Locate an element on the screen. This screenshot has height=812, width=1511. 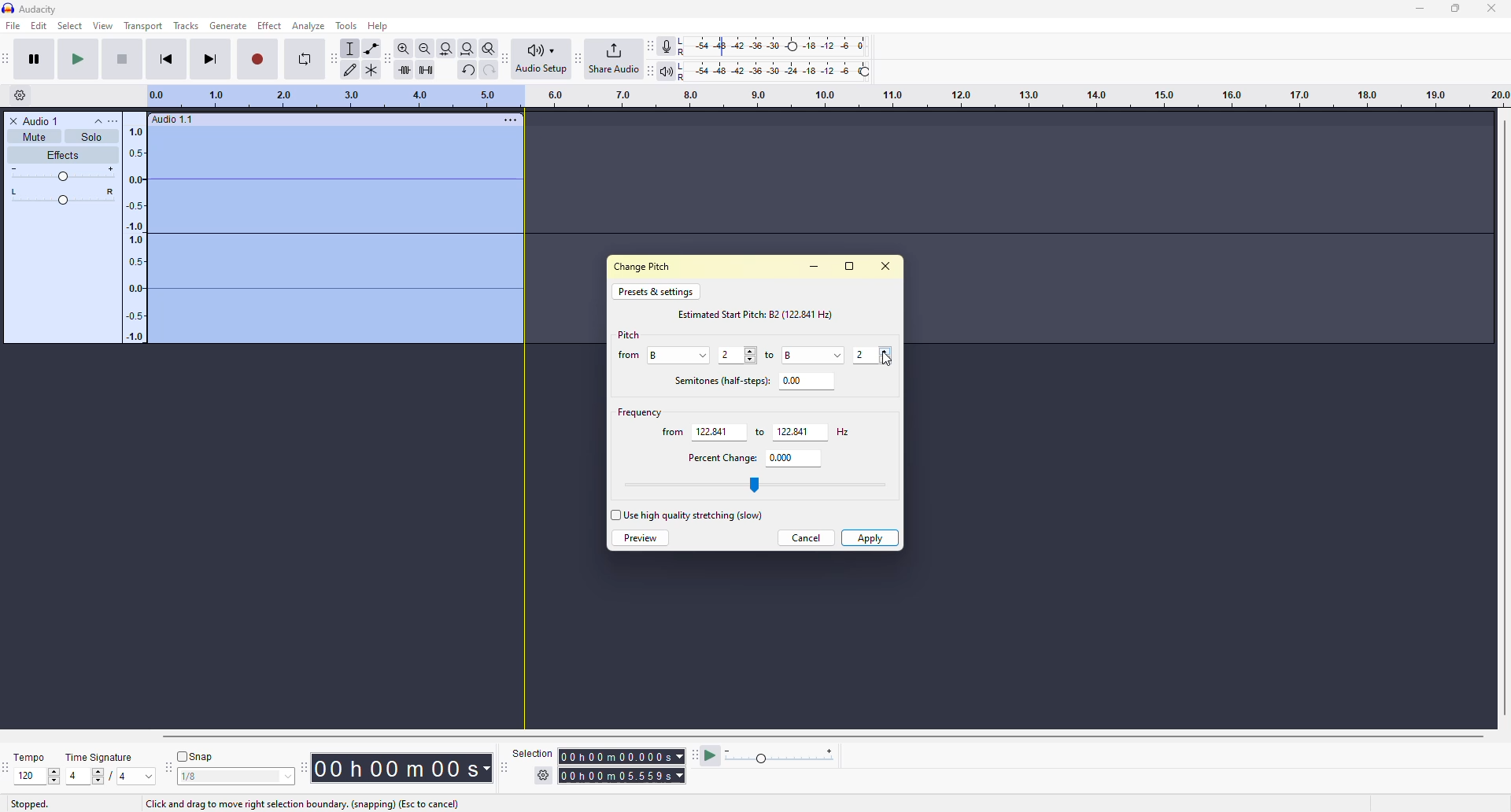
adjust is located at coordinates (64, 174).